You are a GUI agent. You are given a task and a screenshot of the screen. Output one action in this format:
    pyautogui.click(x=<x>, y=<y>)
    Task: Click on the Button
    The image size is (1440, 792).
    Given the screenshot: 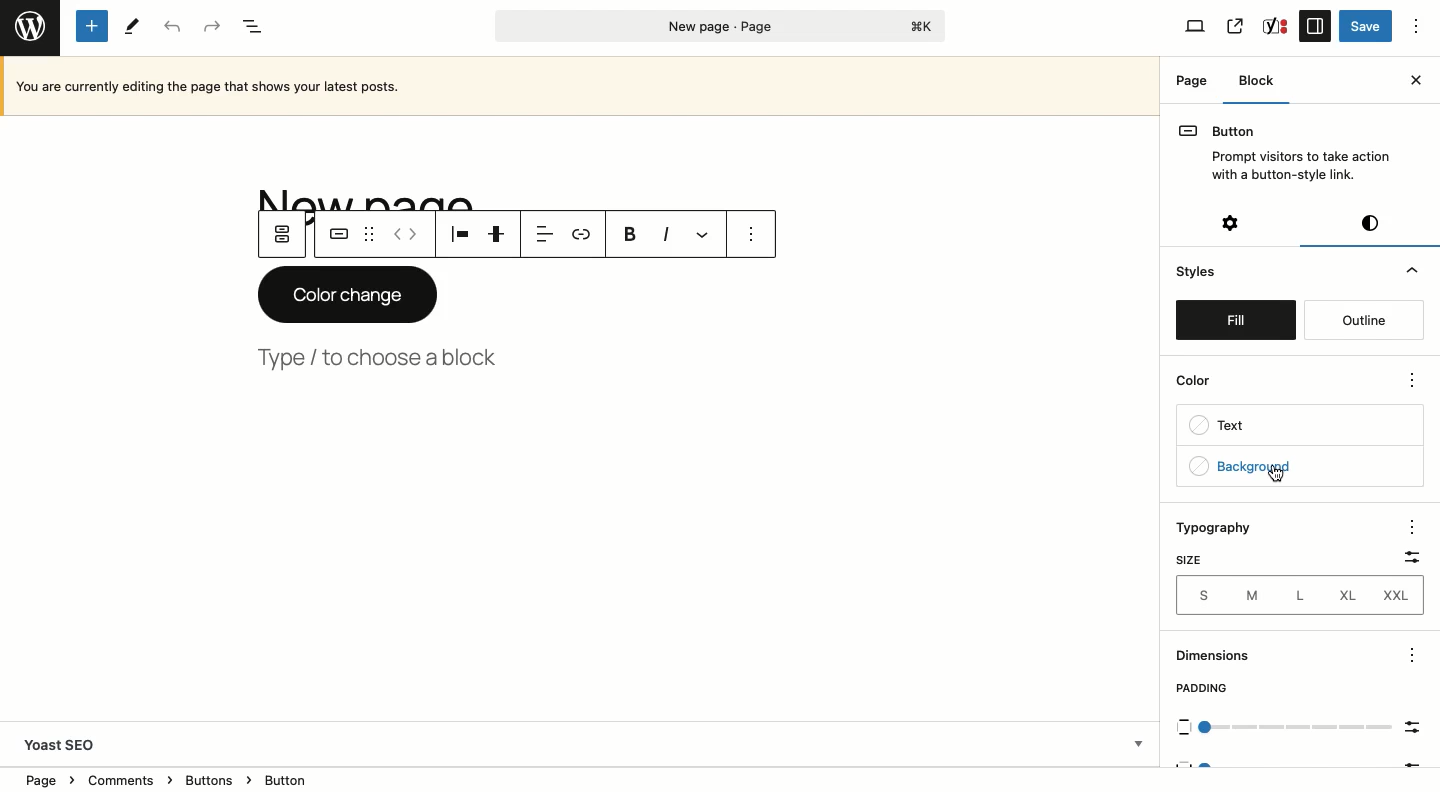 What is the action you would take?
    pyautogui.click(x=336, y=234)
    